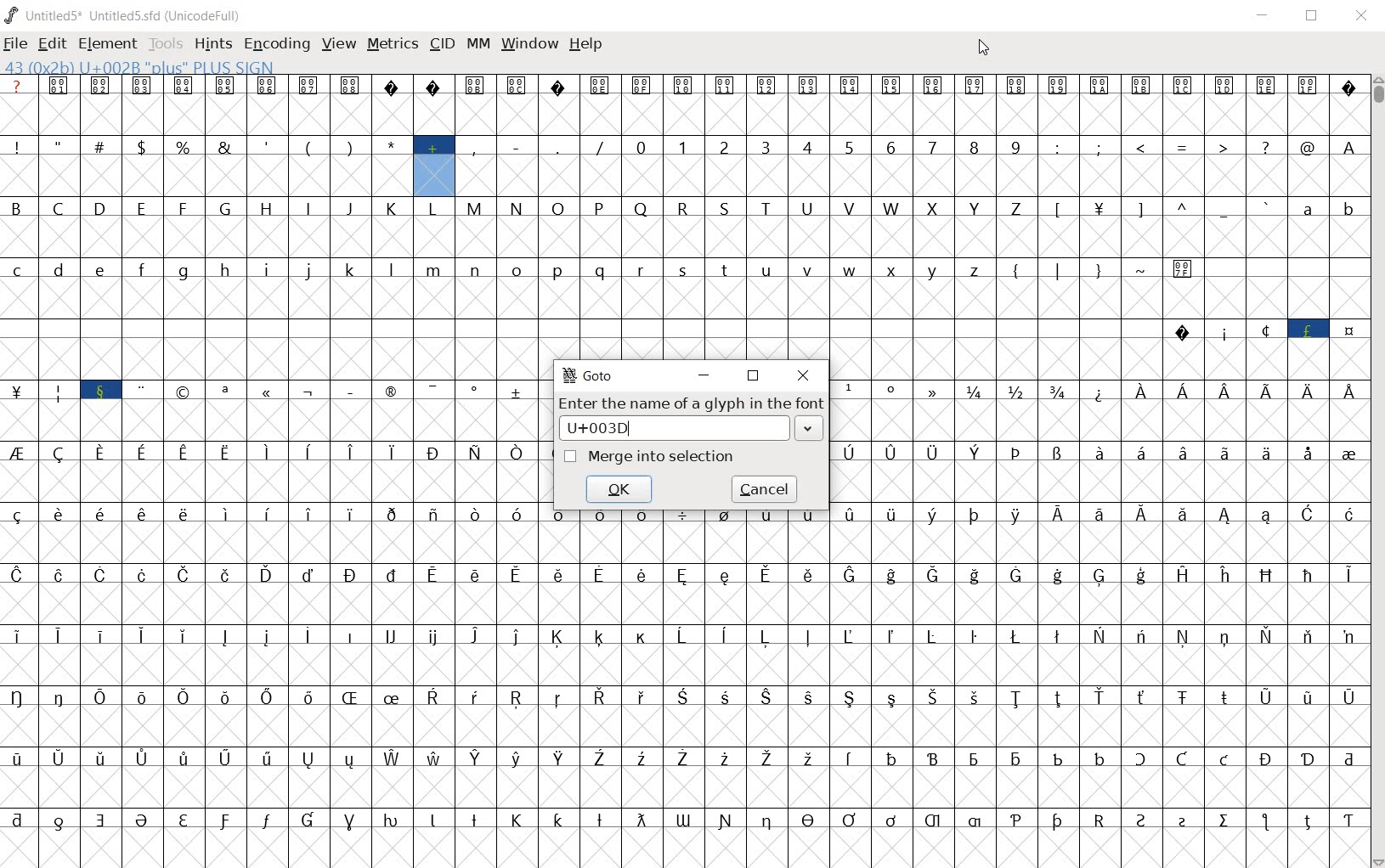 The width and height of the screenshot is (1385, 868). What do you see at coordinates (14, 45) in the screenshot?
I see `file` at bounding box center [14, 45].